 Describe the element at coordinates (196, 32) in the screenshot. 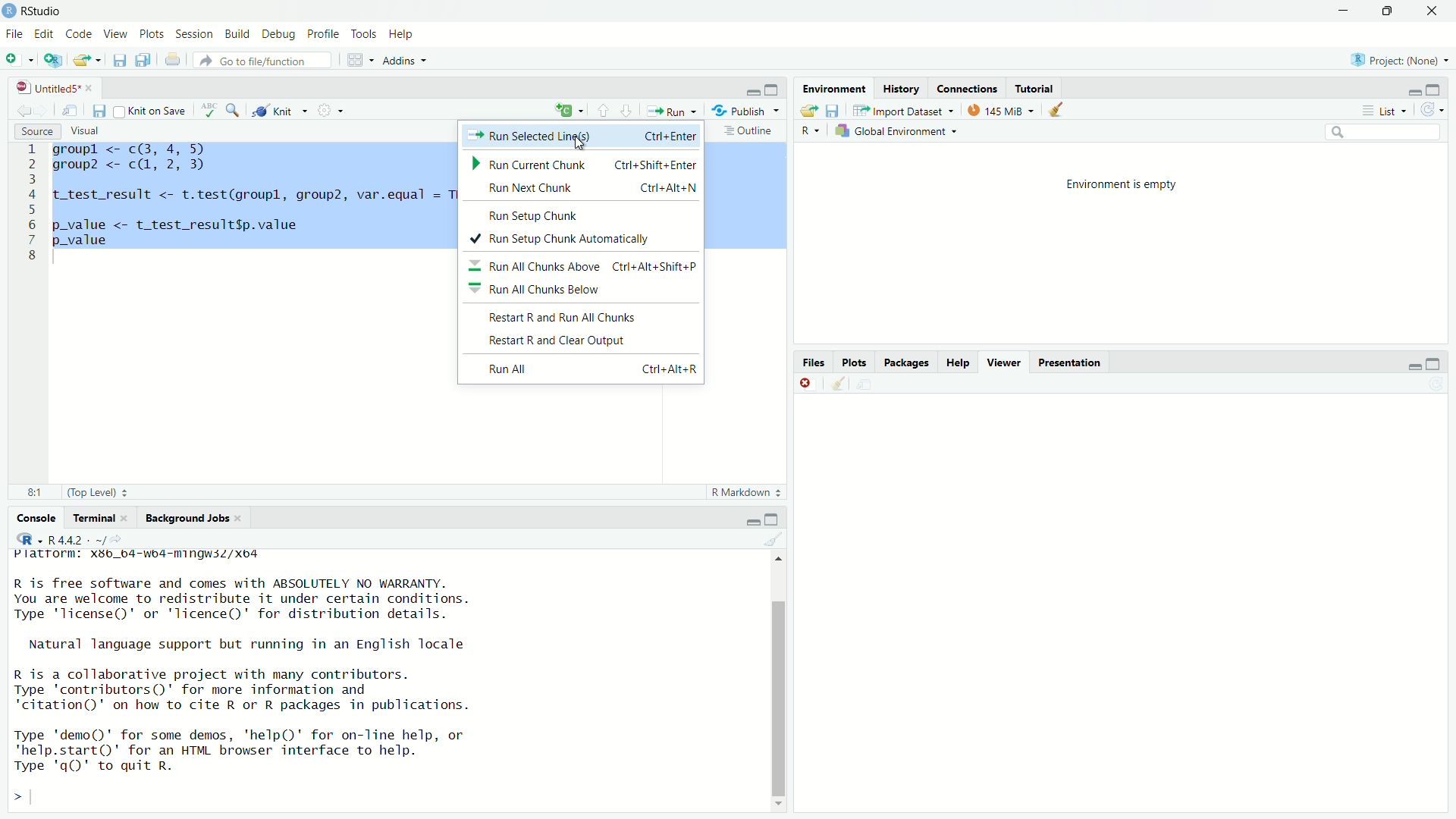

I see `Session` at that location.